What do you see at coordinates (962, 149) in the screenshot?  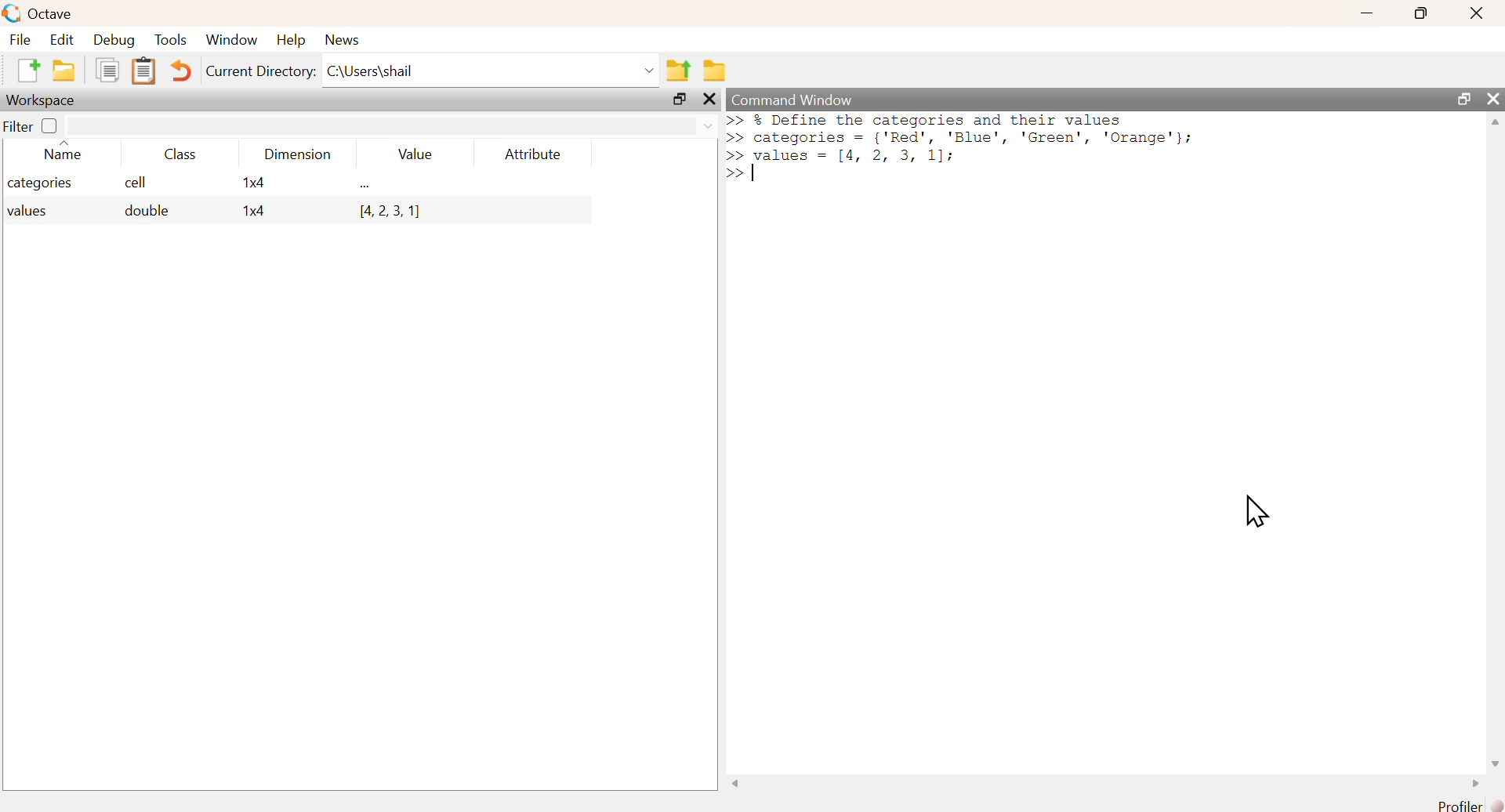 I see `>> % Define the categorles and their values

>> categories = {'Red', 'Blue', 'Green', 'Orange'};
>> values = [4, 2, 3, 1]:

>> |` at bounding box center [962, 149].